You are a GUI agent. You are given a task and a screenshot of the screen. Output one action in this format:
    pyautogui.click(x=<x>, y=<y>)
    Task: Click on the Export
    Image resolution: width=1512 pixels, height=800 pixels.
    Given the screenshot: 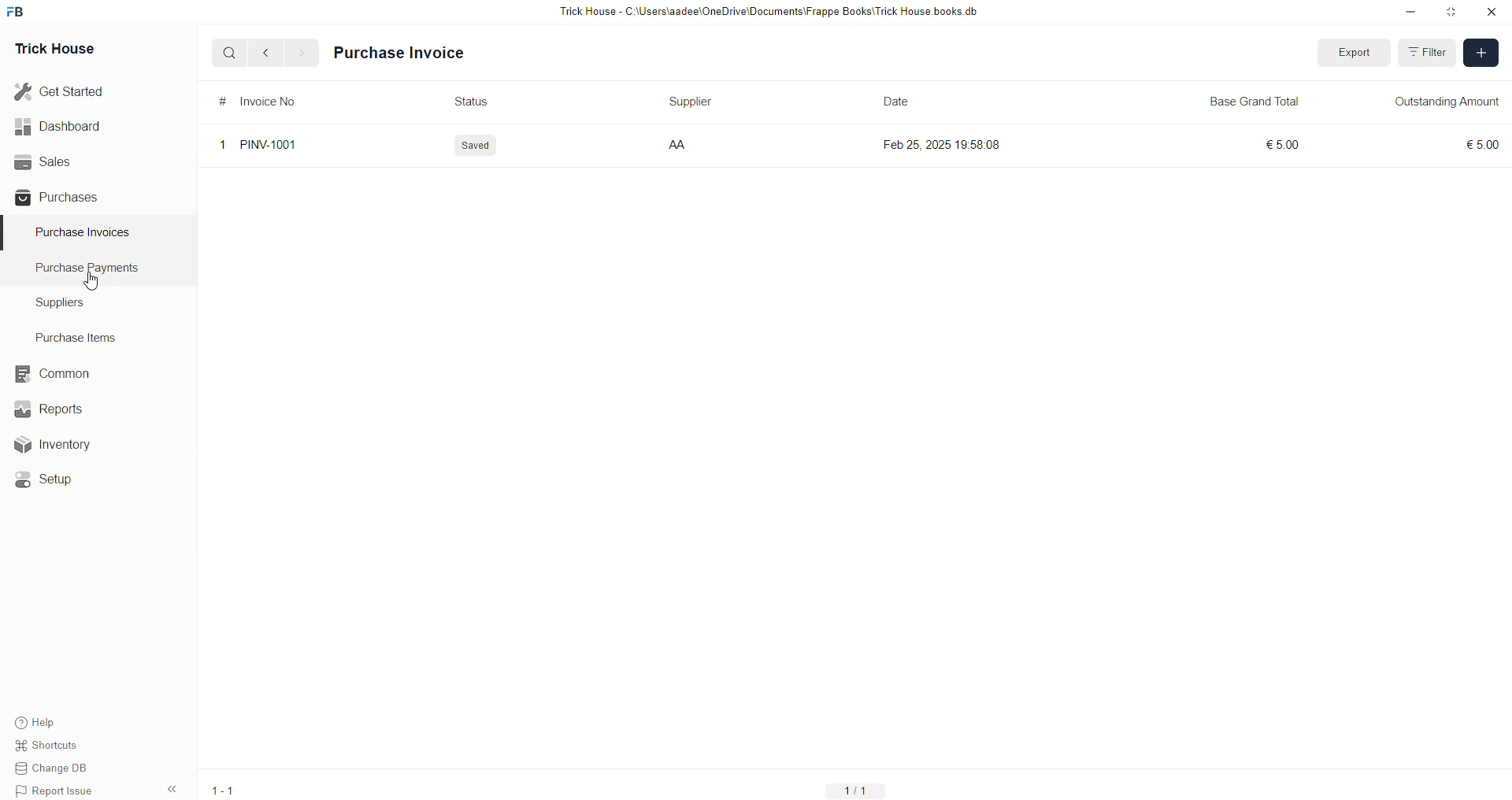 What is the action you would take?
    pyautogui.click(x=1348, y=51)
    